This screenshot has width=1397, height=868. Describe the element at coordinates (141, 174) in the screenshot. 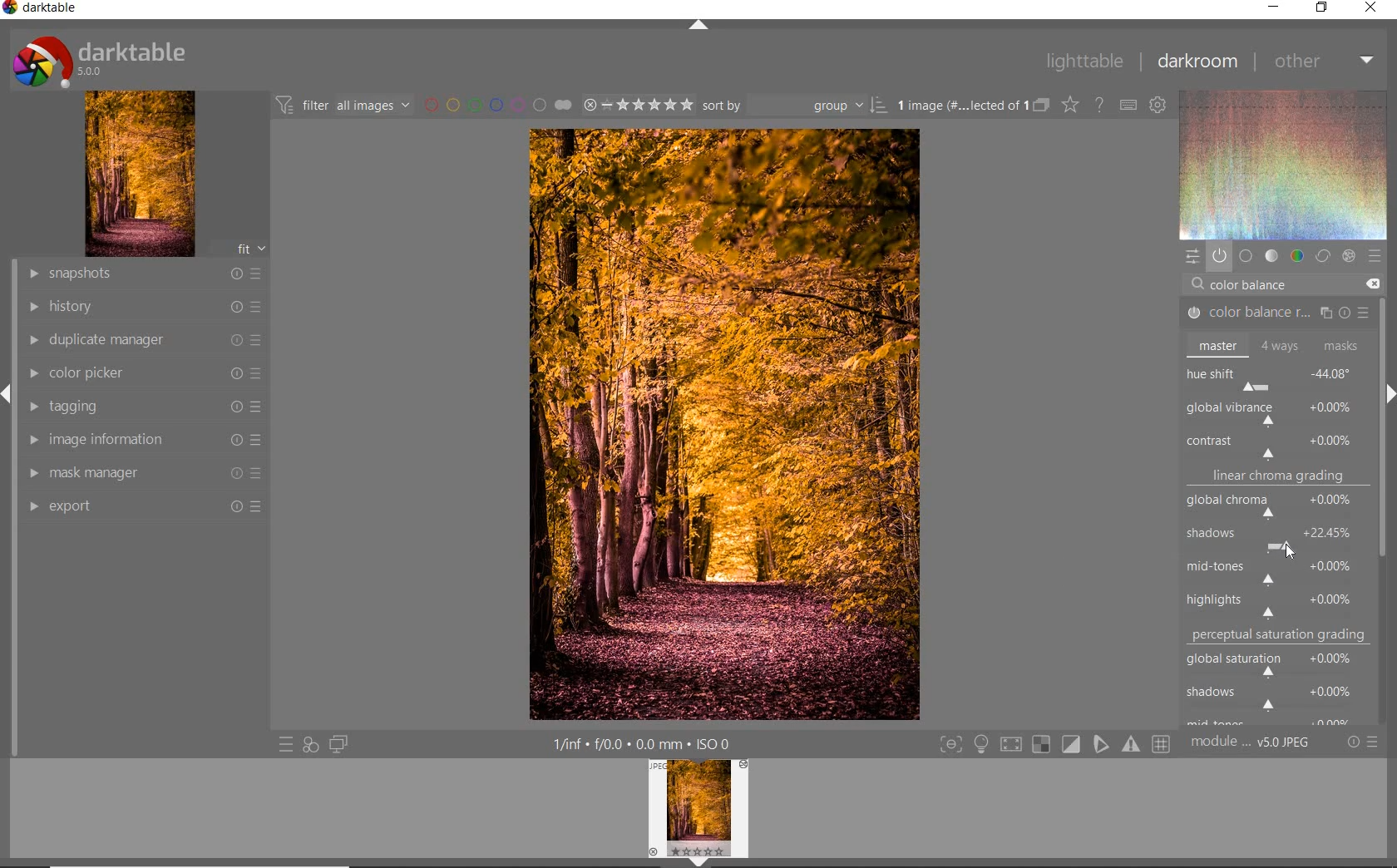

I see `image` at that location.